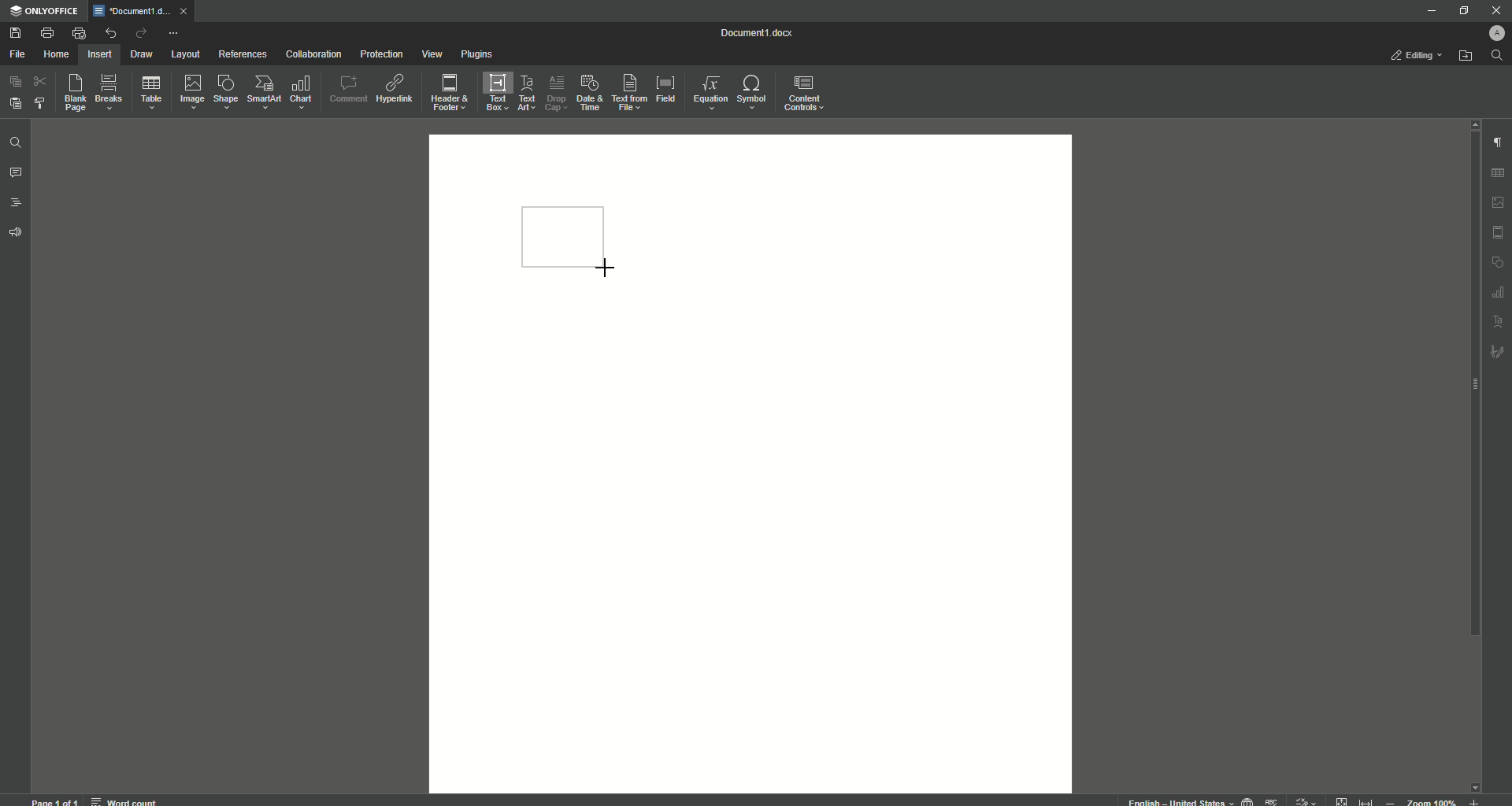 The width and height of the screenshot is (1512, 806). I want to click on Text Art, so click(524, 94).